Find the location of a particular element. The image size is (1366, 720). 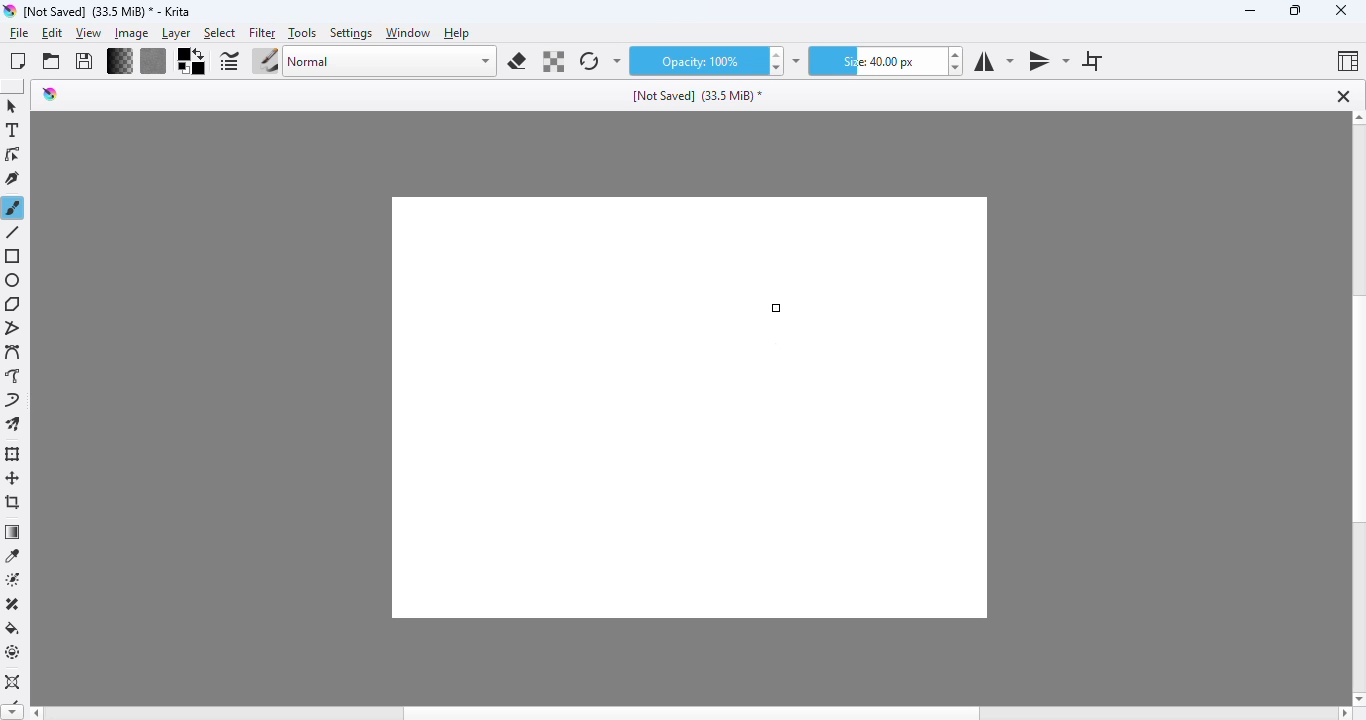

image is located at coordinates (131, 33).